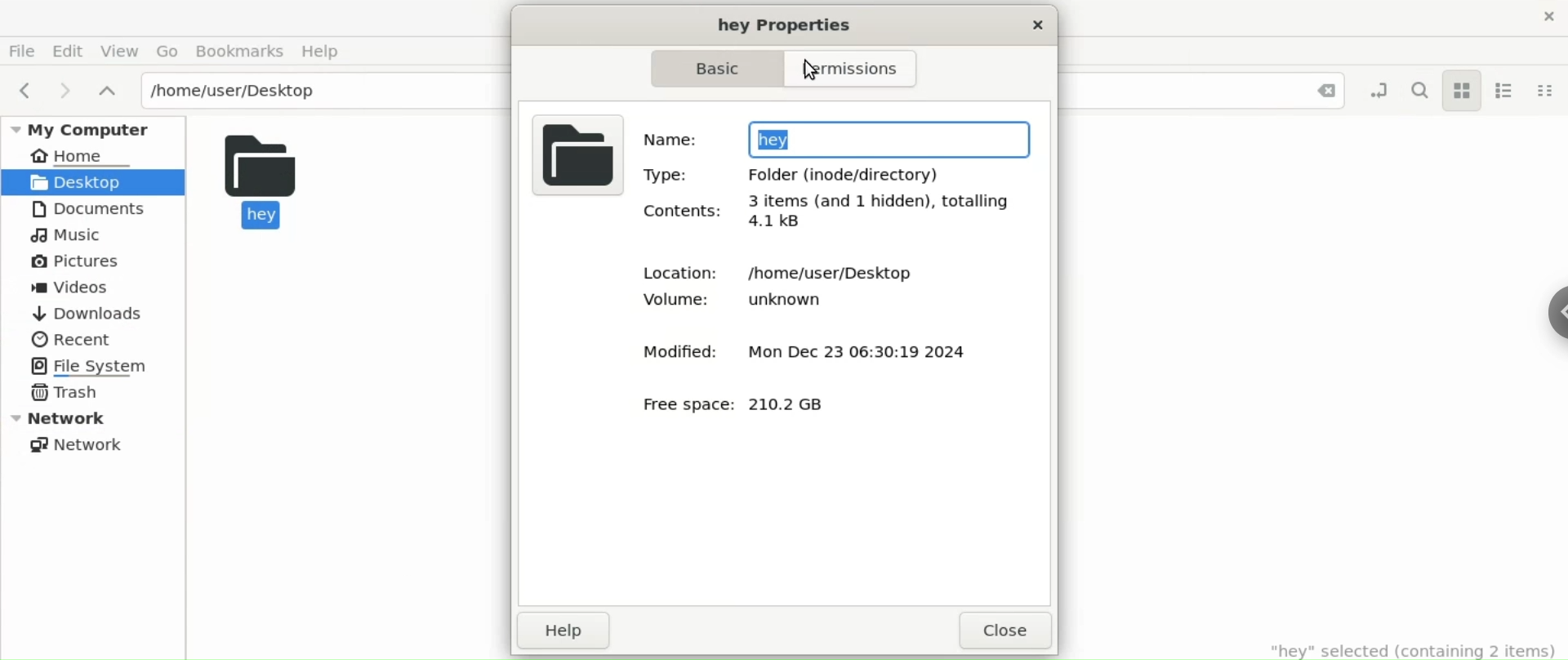 This screenshot has height=660, width=1568. Describe the element at coordinates (318, 90) in the screenshot. I see `/home/user/Desktop` at that location.